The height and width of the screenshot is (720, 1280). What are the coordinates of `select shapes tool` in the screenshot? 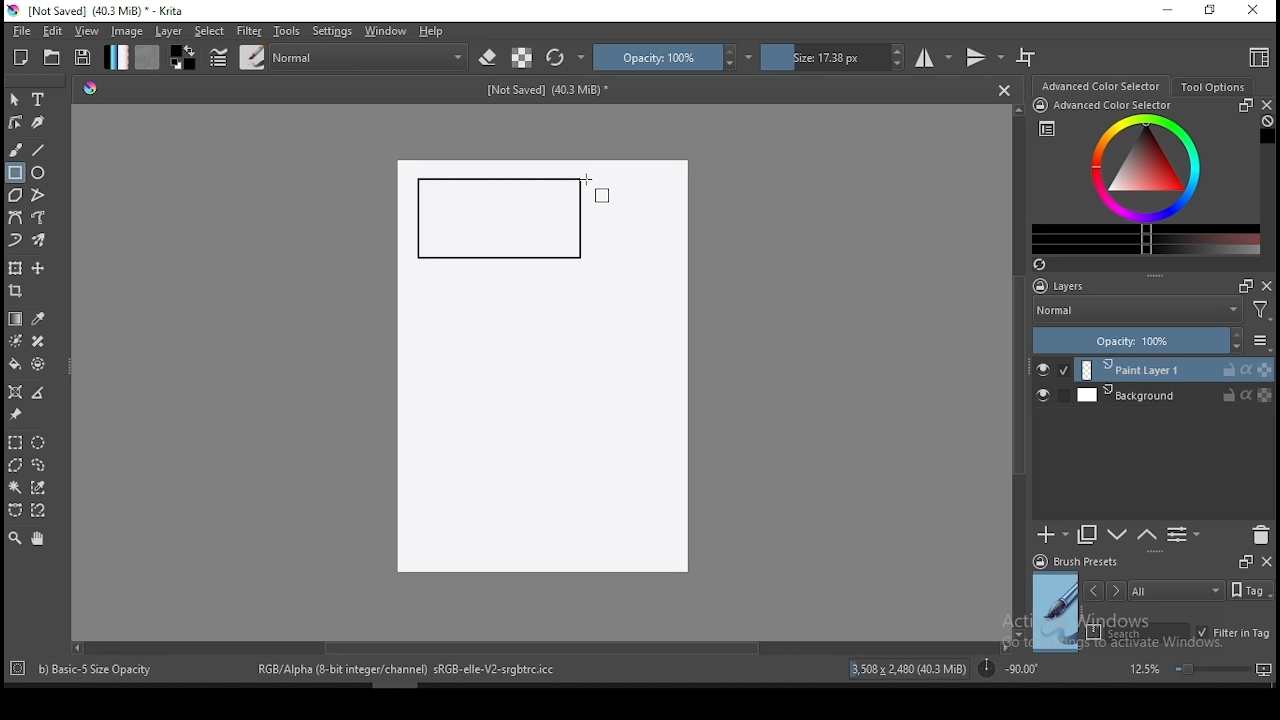 It's located at (15, 99).